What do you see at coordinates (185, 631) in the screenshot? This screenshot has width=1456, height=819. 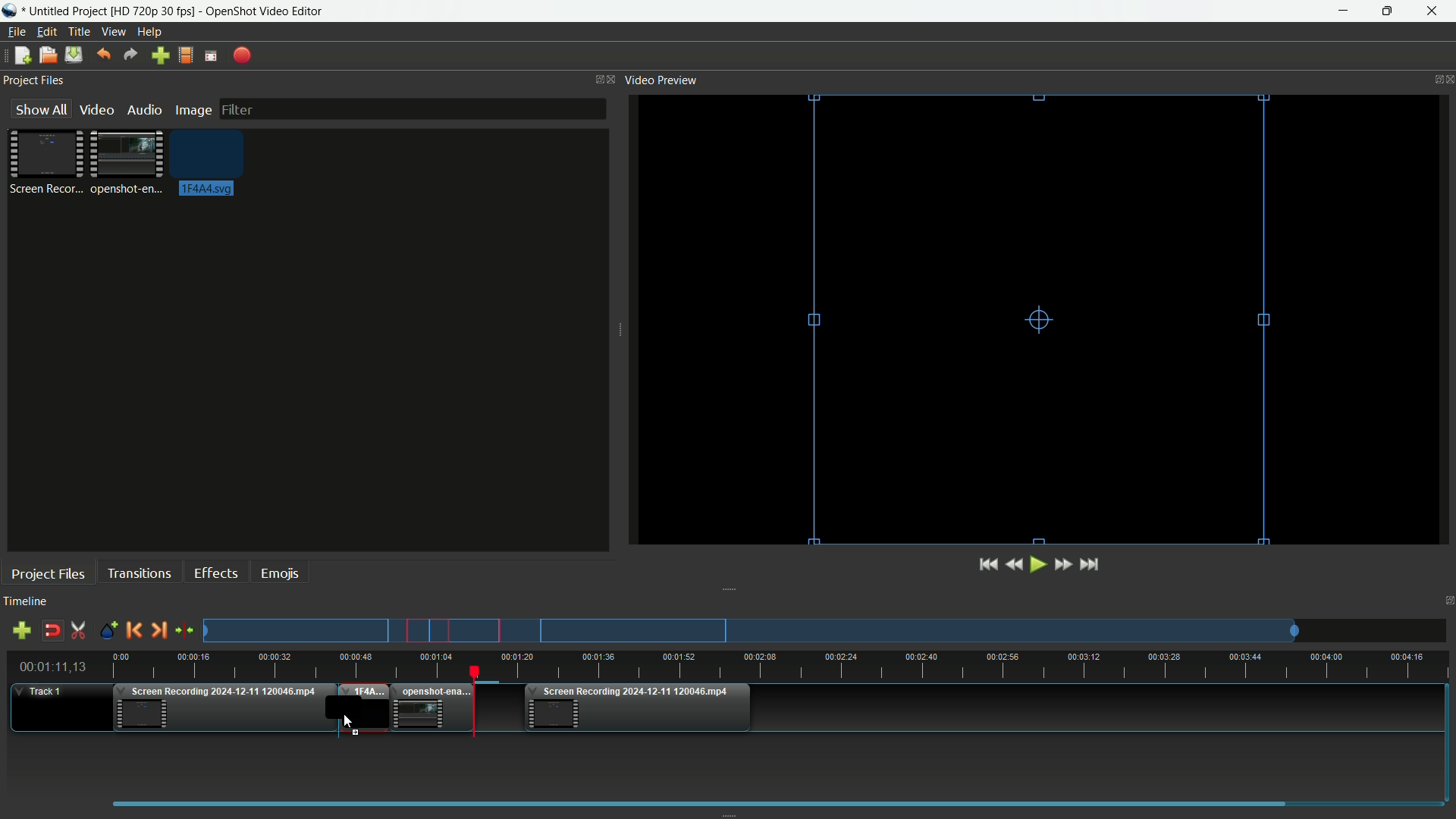 I see `center the timeline on the playhead` at bounding box center [185, 631].